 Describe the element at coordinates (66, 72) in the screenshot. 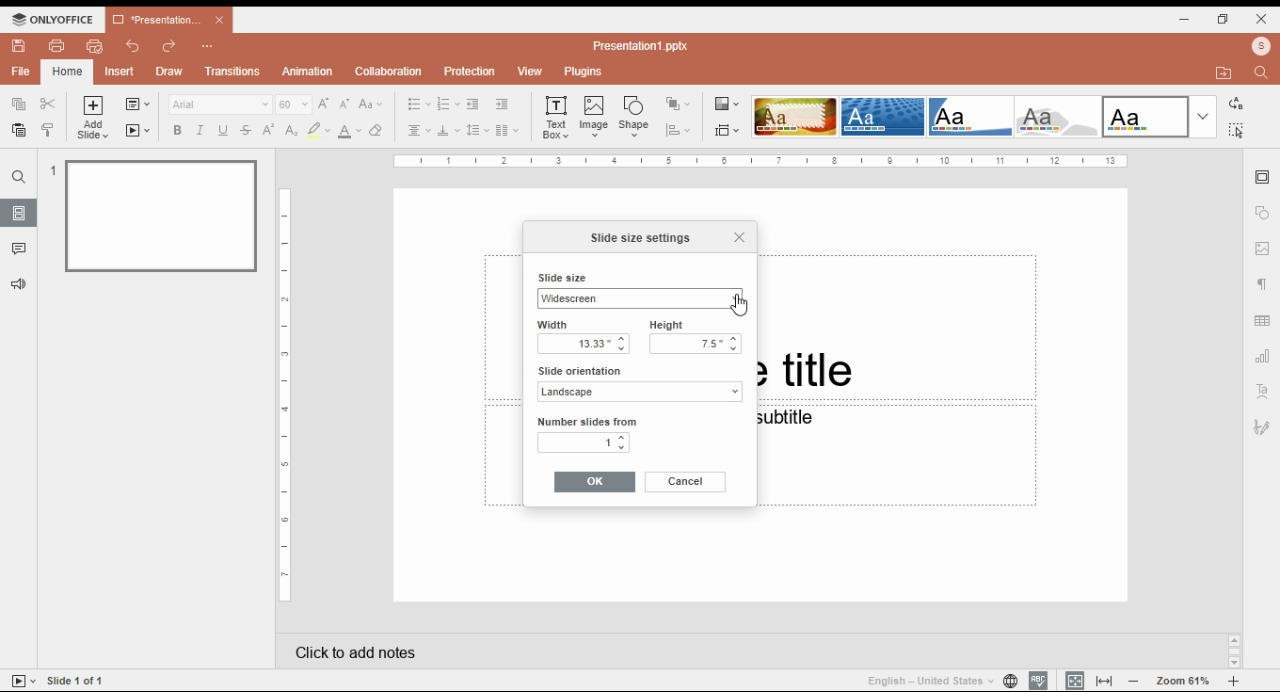

I see `home` at that location.